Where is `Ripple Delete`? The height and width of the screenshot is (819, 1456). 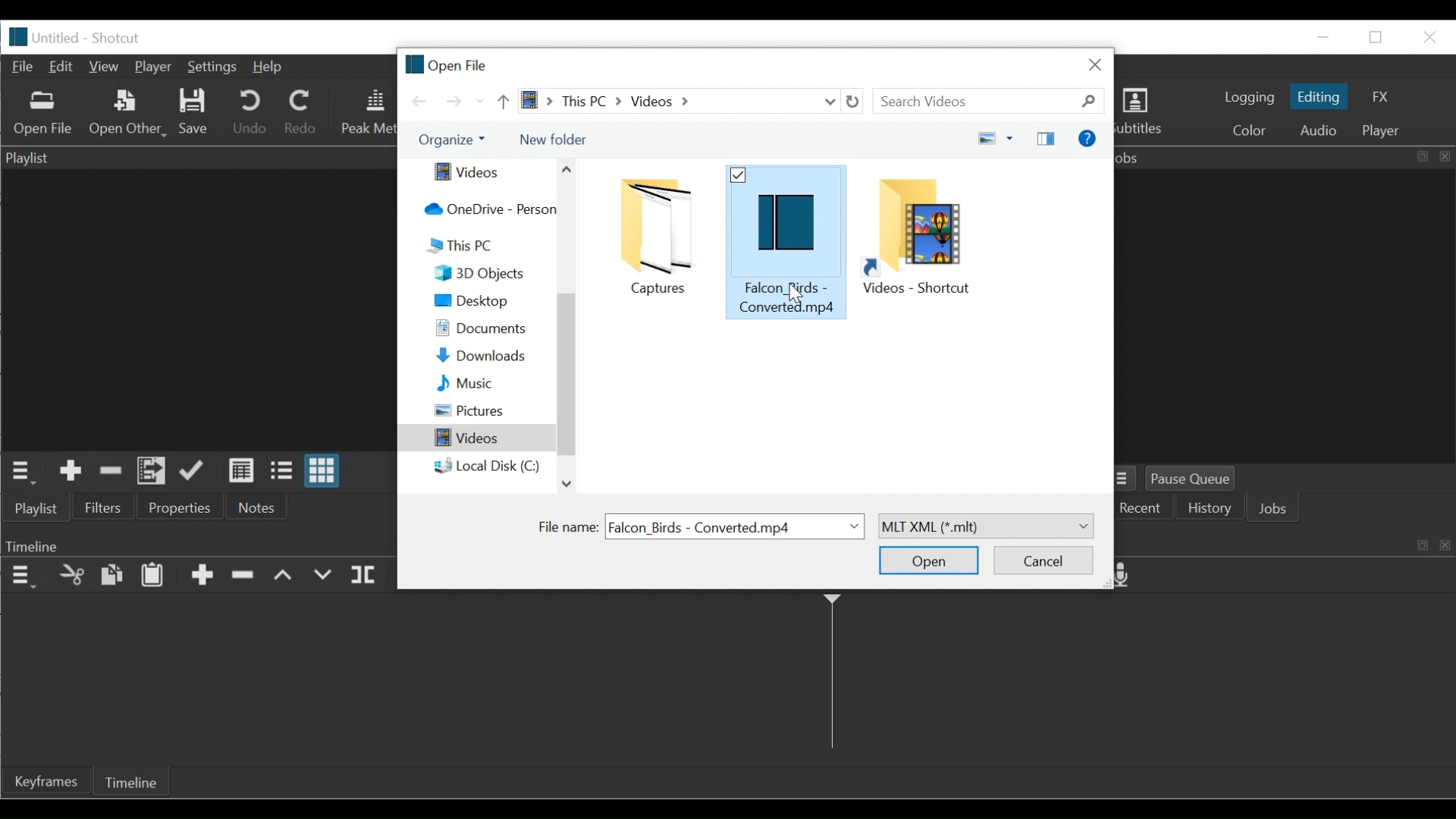 Ripple Delete is located at coordinates (245, 579).